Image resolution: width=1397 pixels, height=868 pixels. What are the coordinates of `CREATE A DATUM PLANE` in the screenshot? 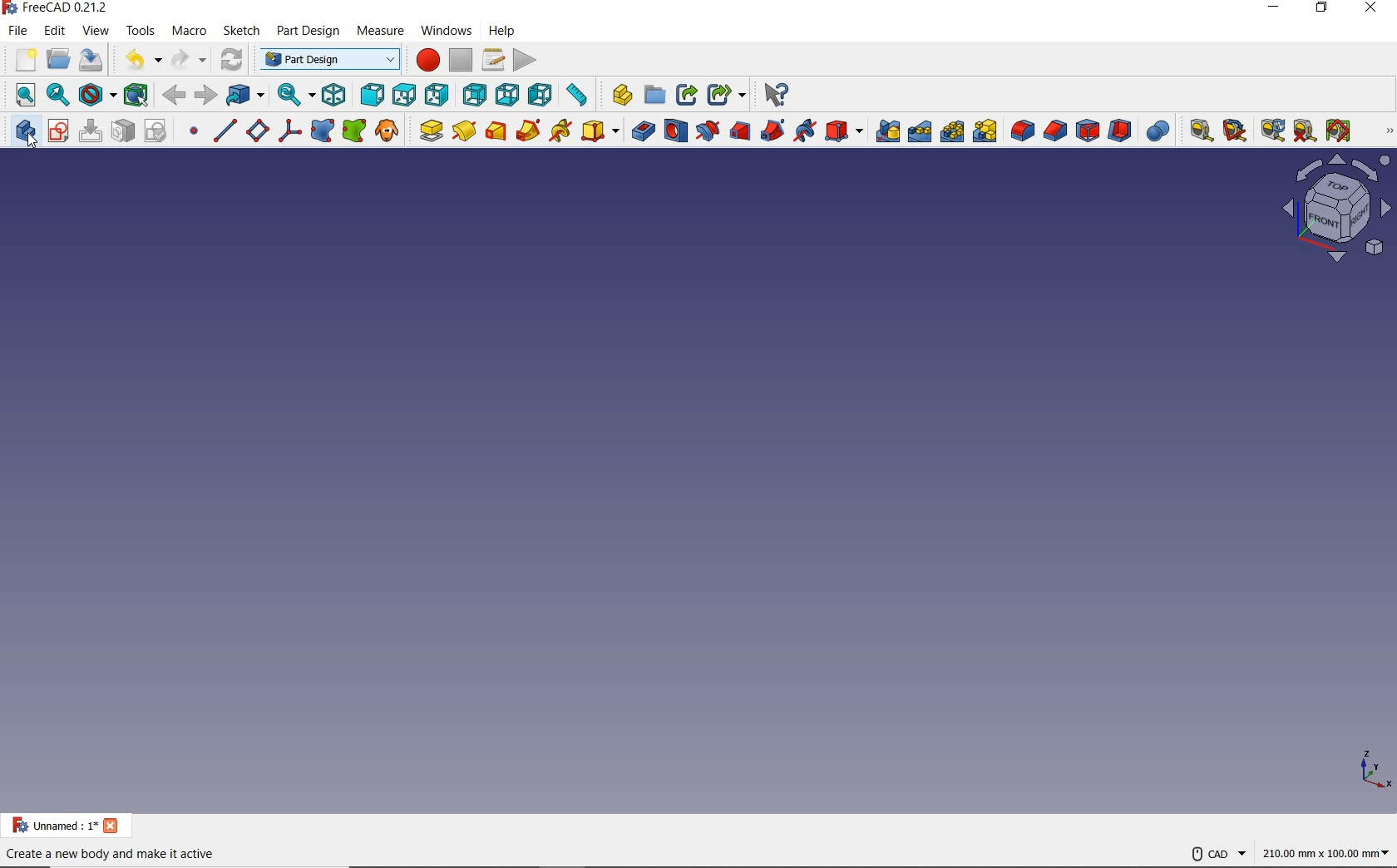 It's located at (257, 131).